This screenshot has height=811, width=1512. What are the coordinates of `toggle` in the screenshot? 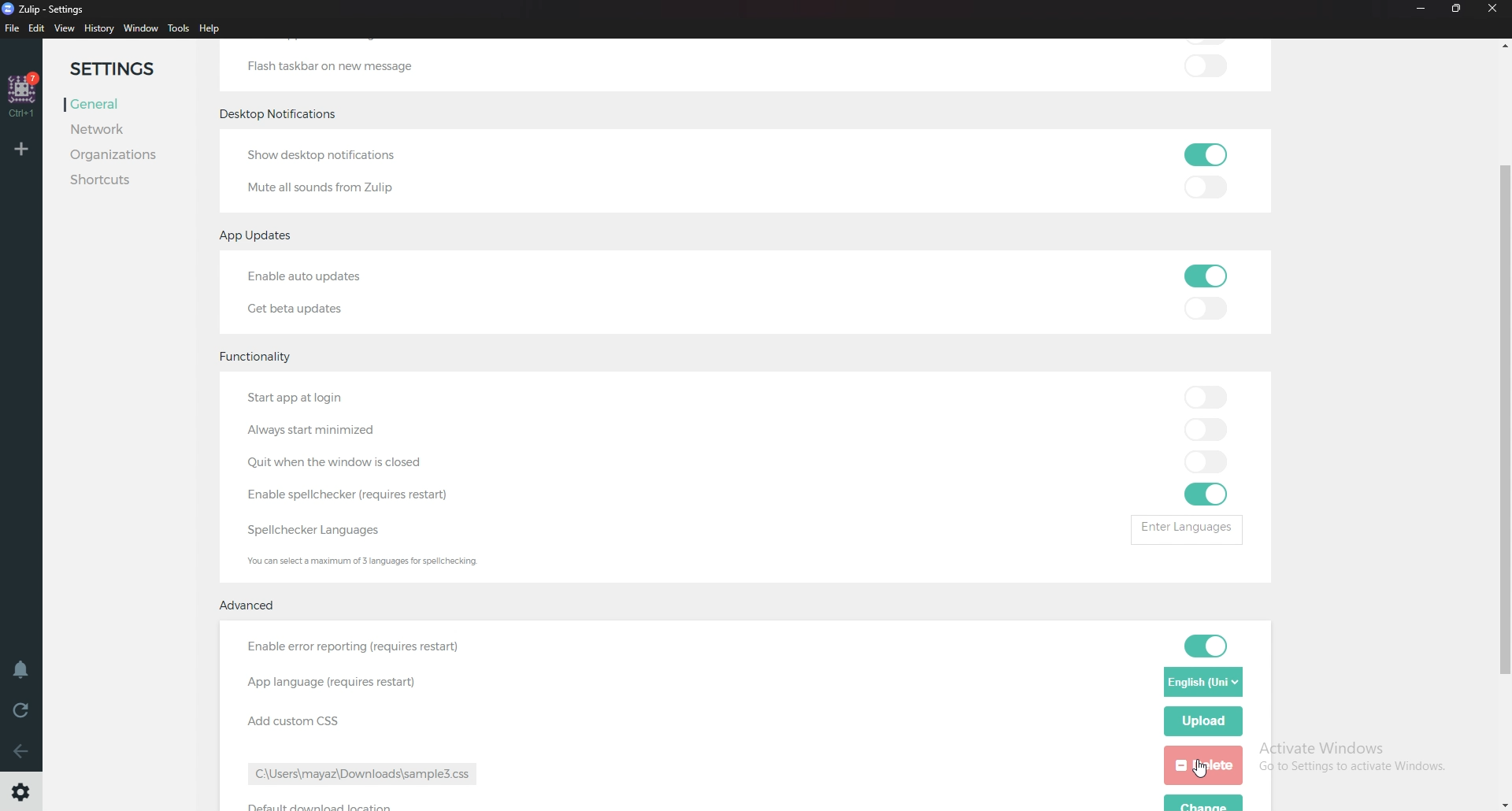 It's located at (1203, 398).